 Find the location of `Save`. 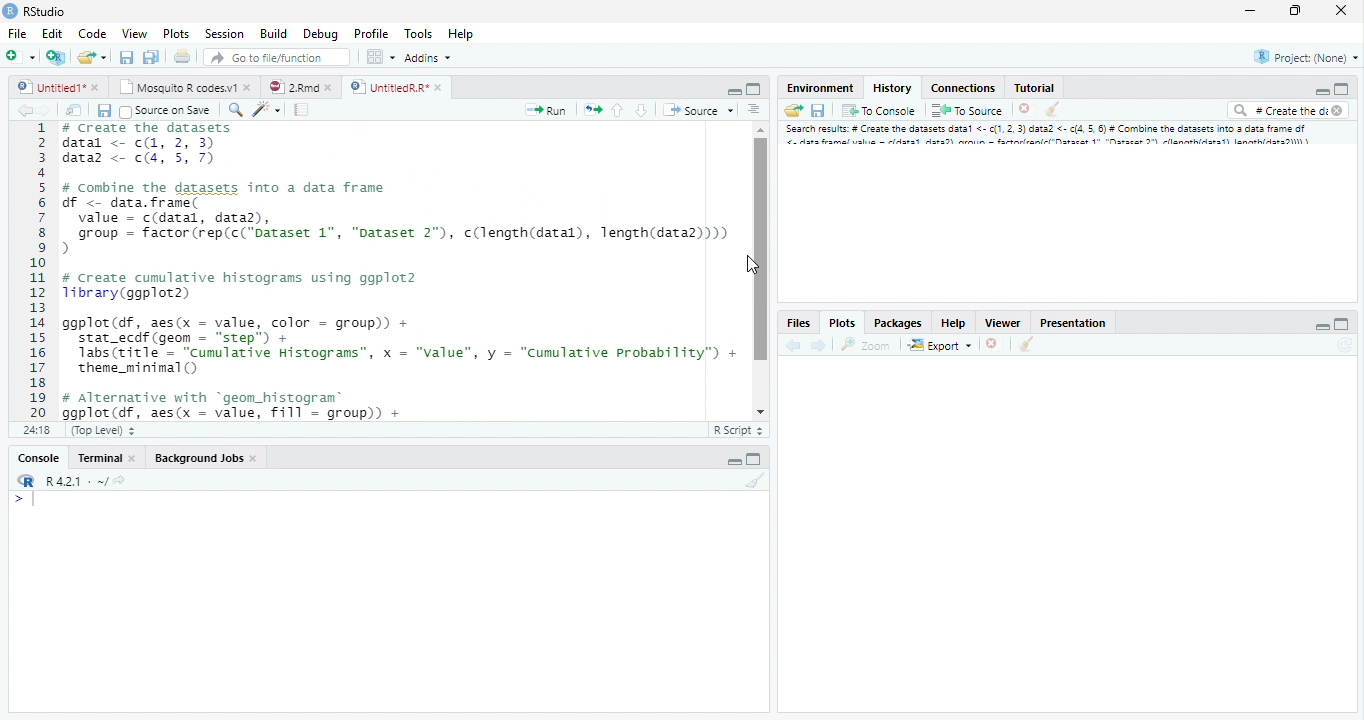

Save is located at coordinates (104, 111).